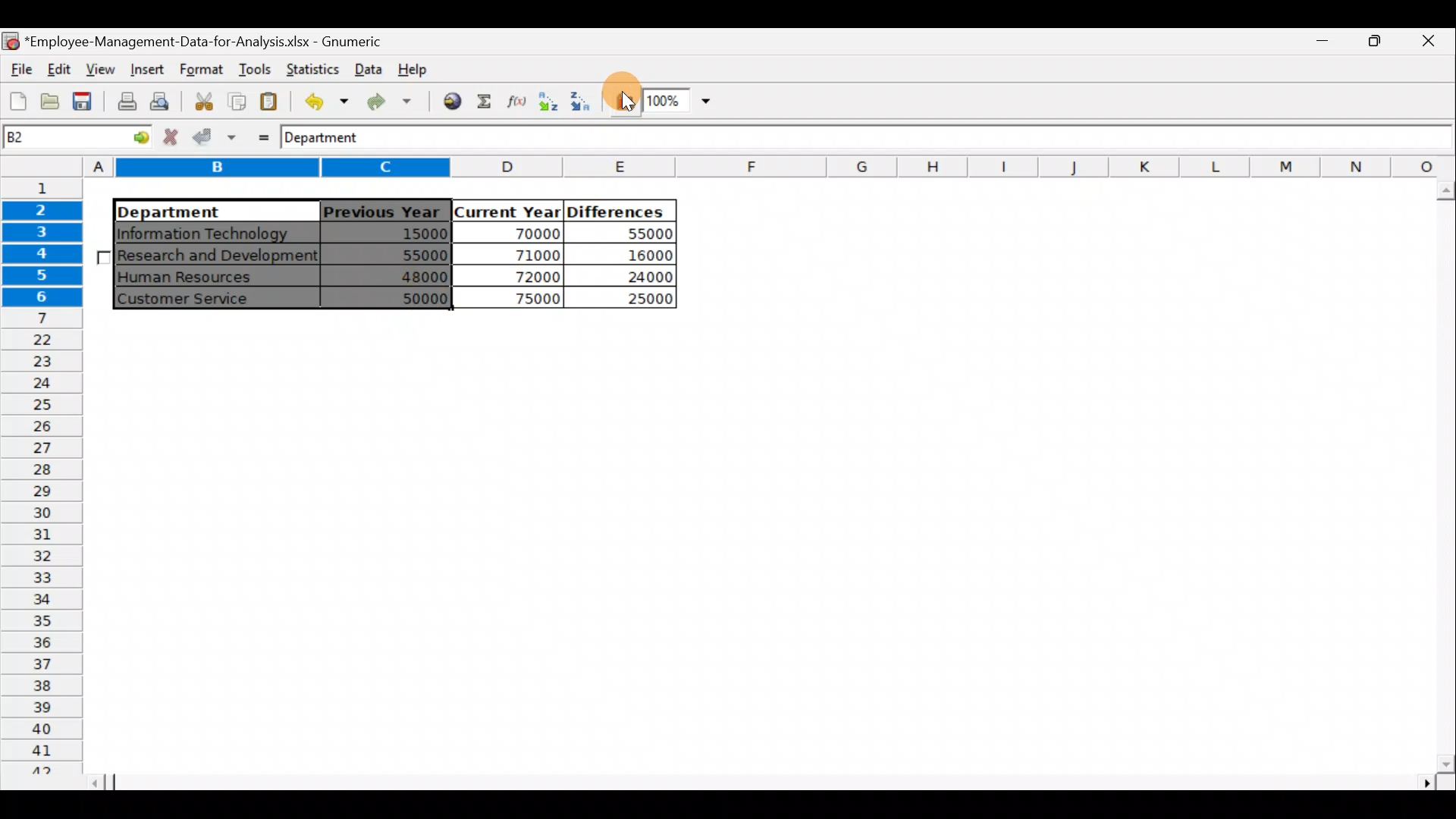 The width and height of the screenshot is (1456, 819). I want to click on Sum into the current cell, so click(485, 100).